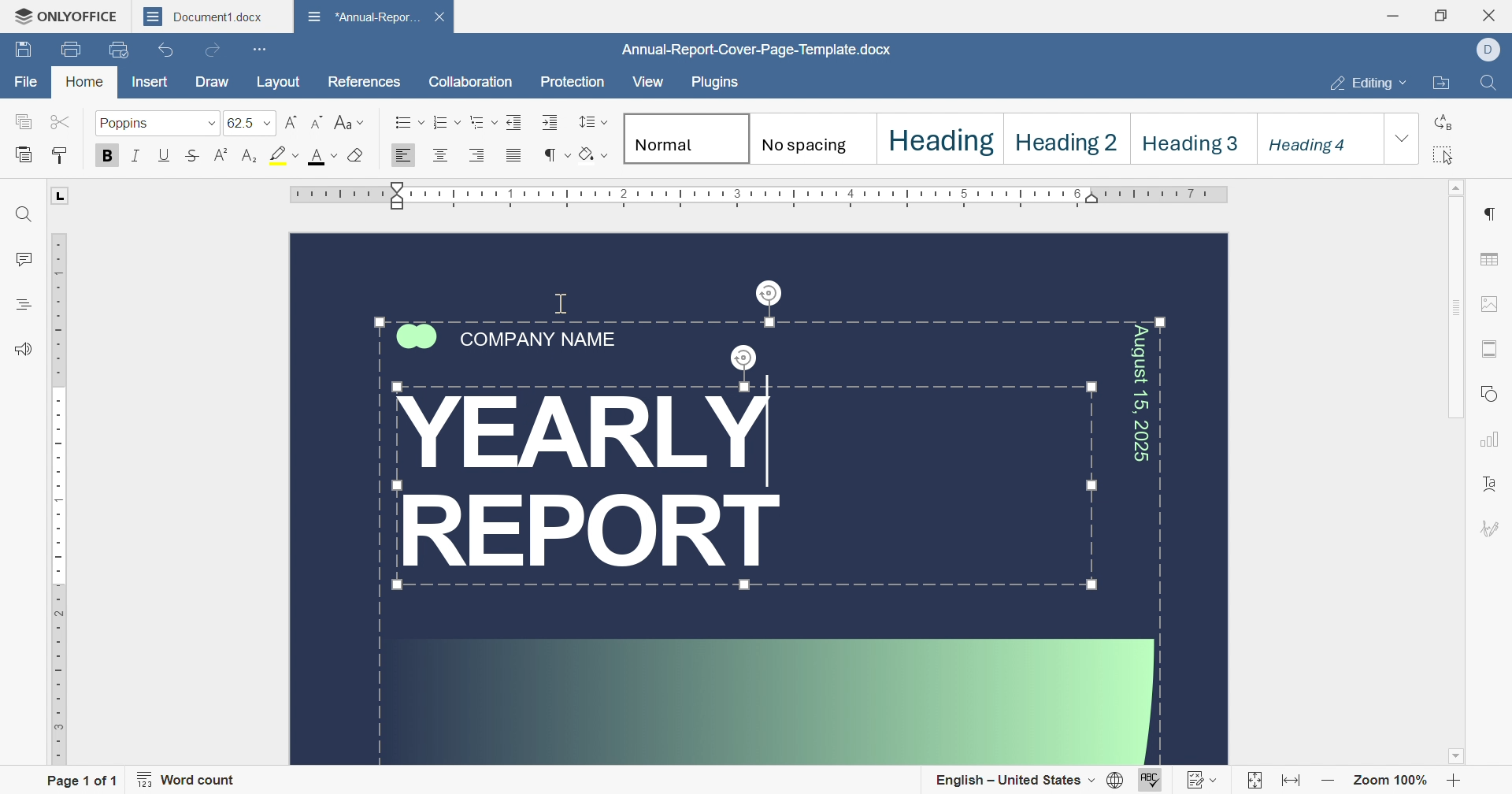 This screenshot has height=794, width=1512. I want to click on home, so click(83, 83).